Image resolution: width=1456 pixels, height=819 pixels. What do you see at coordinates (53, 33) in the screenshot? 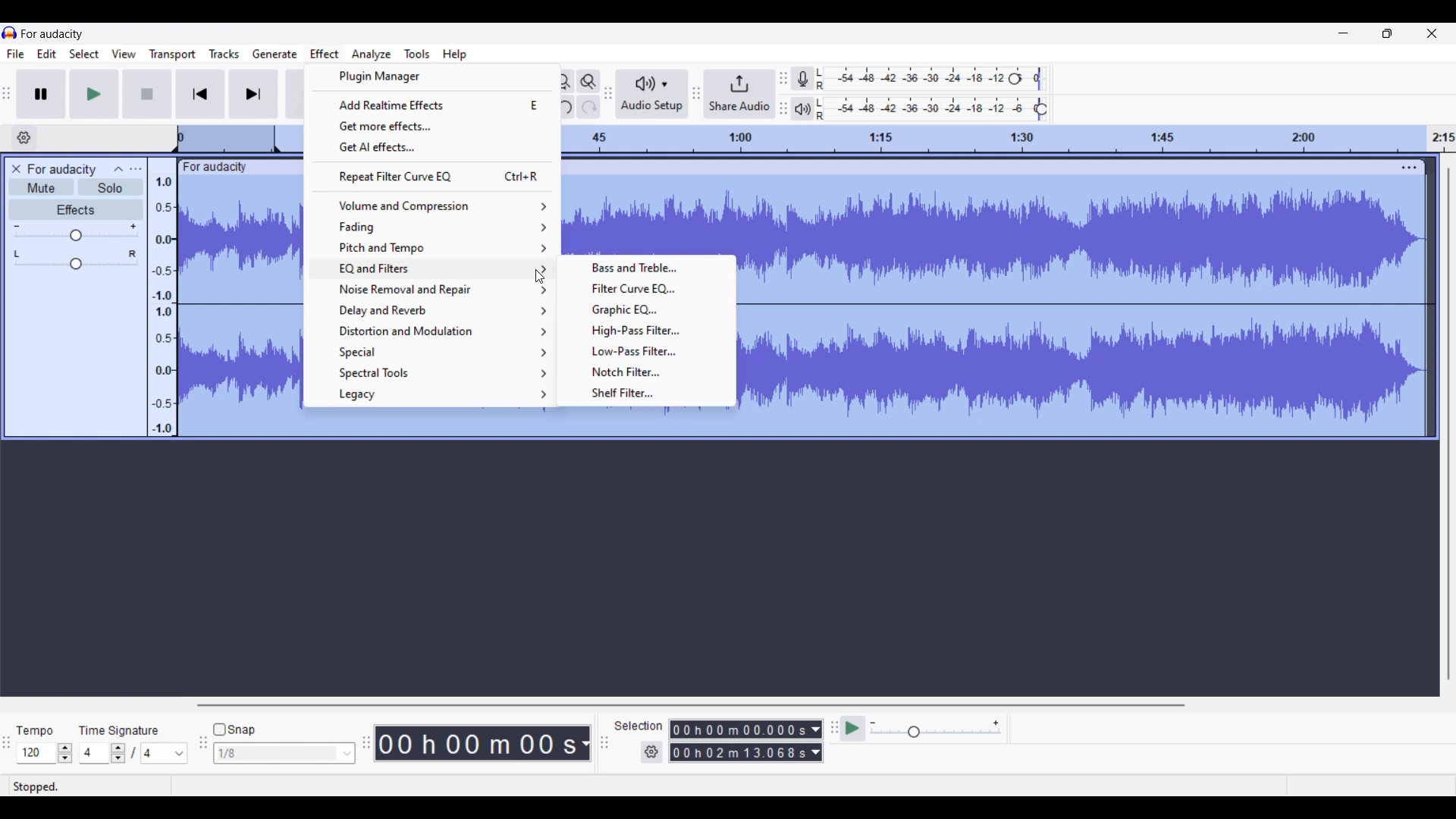
I see `Software name` at bounding box center [53, 33].